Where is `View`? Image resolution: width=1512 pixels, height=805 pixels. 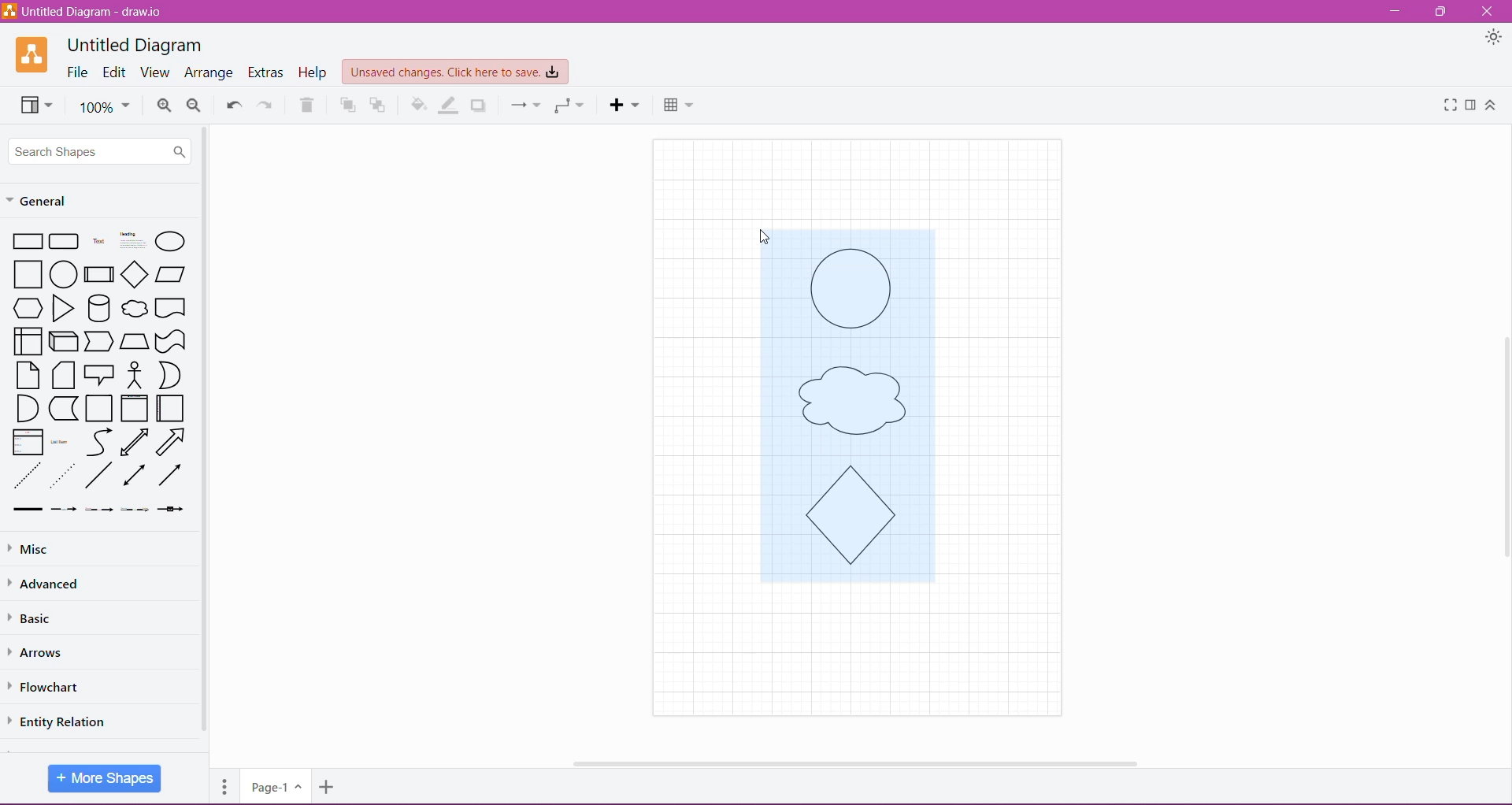
View is located at coordinates (154, 72).